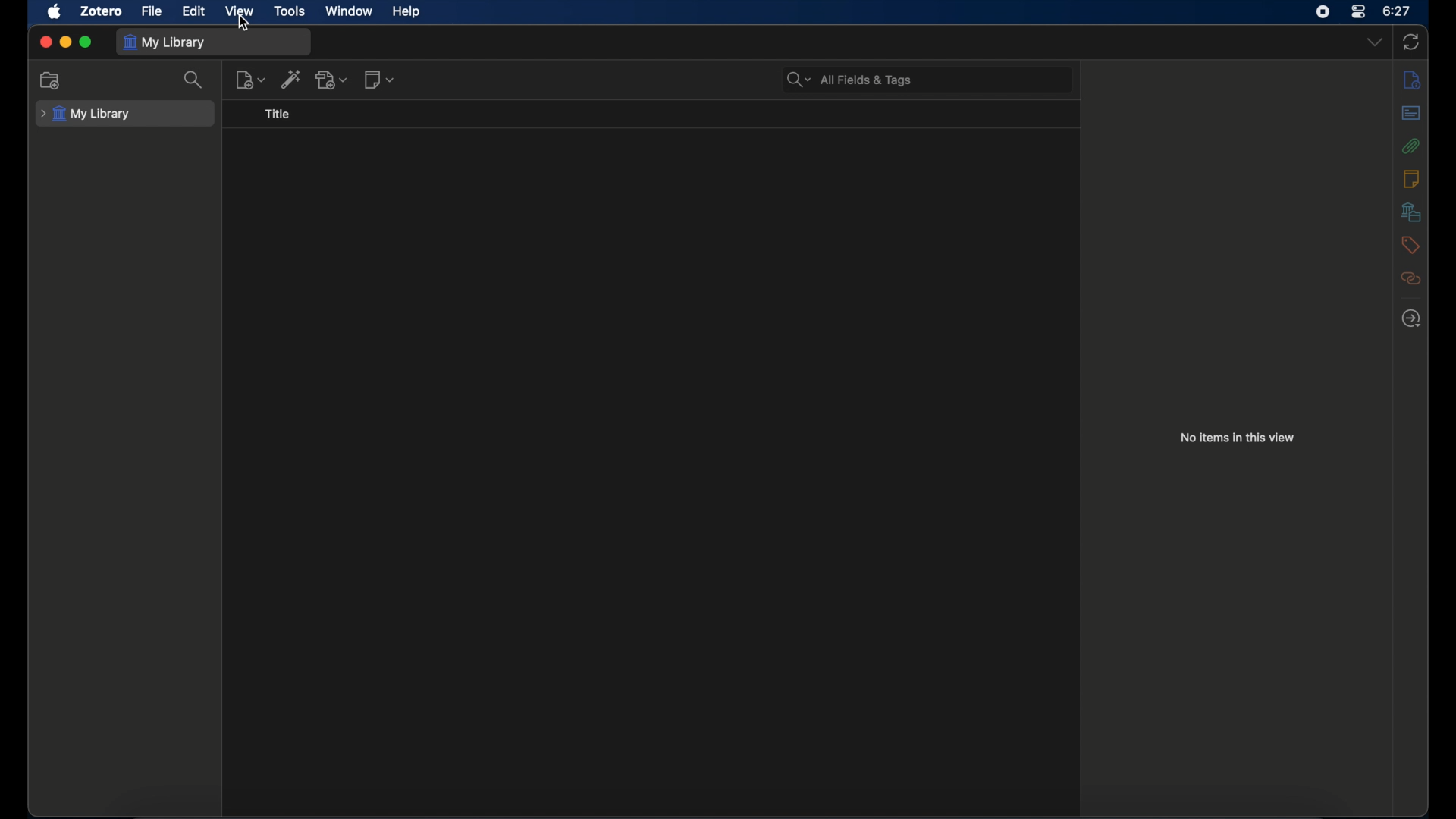 This screenshot has width=1456, height=819. Describe the element at coordinates (1412, 112) in the screenshot. I see `abstract` at that location.